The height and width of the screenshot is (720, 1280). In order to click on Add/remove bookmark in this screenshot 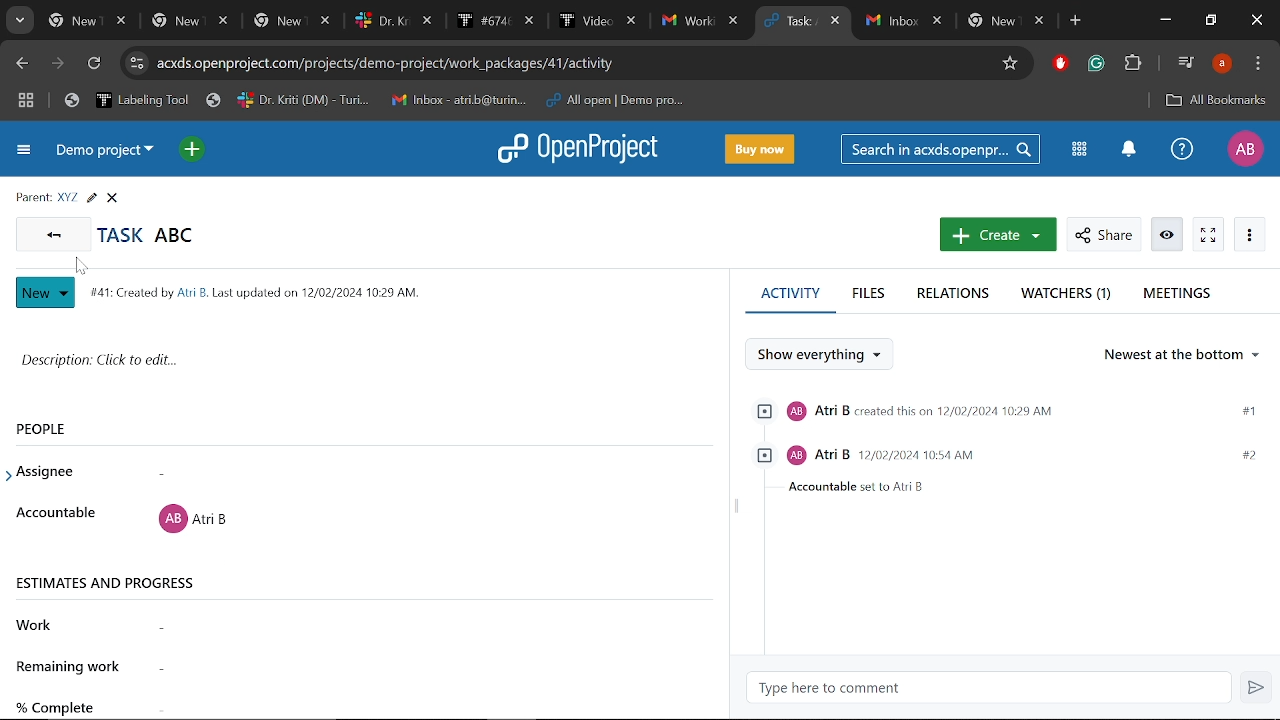, I will do `click(1010, 64)`.